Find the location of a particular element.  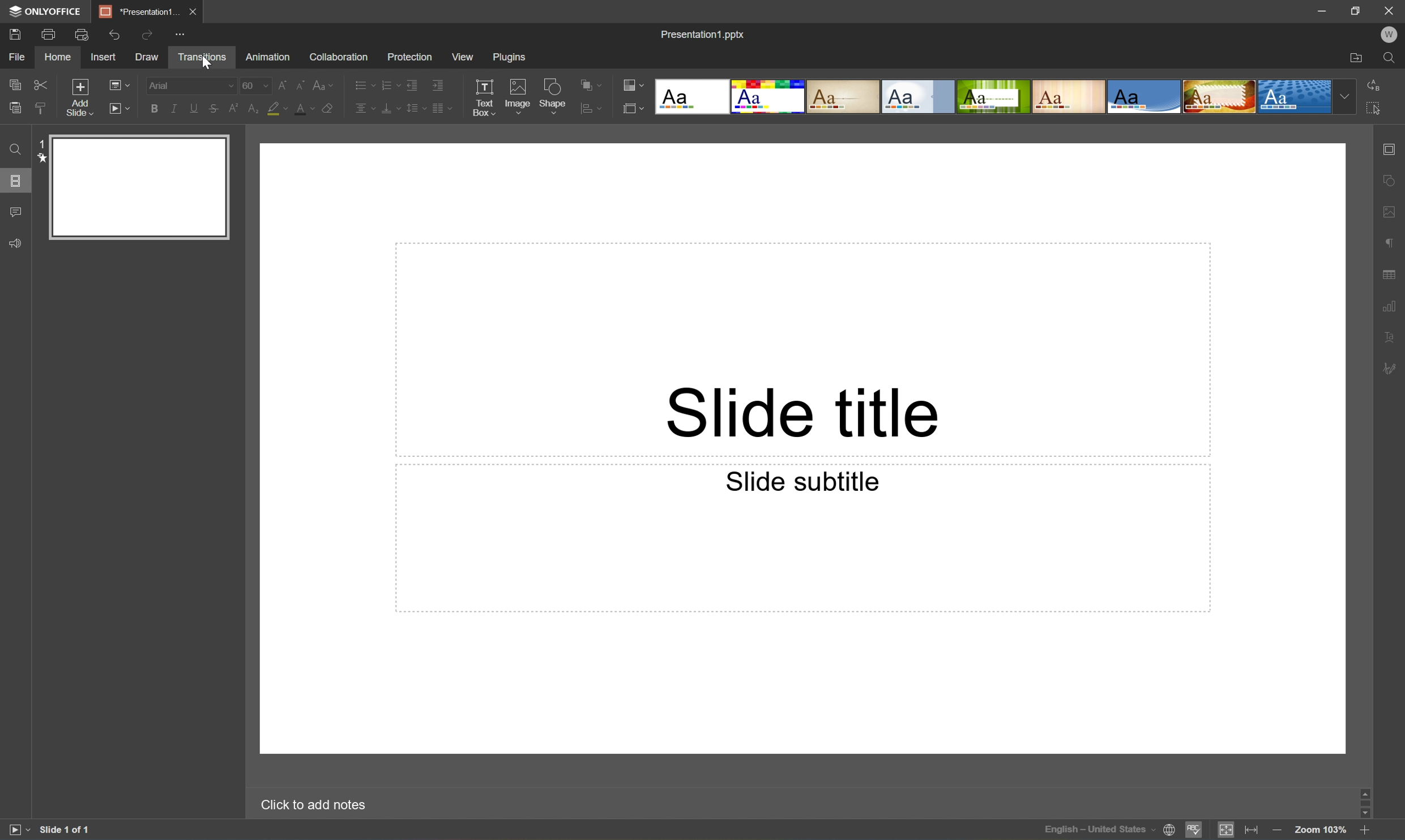

Select slide size is located at coordinates (637, 107).